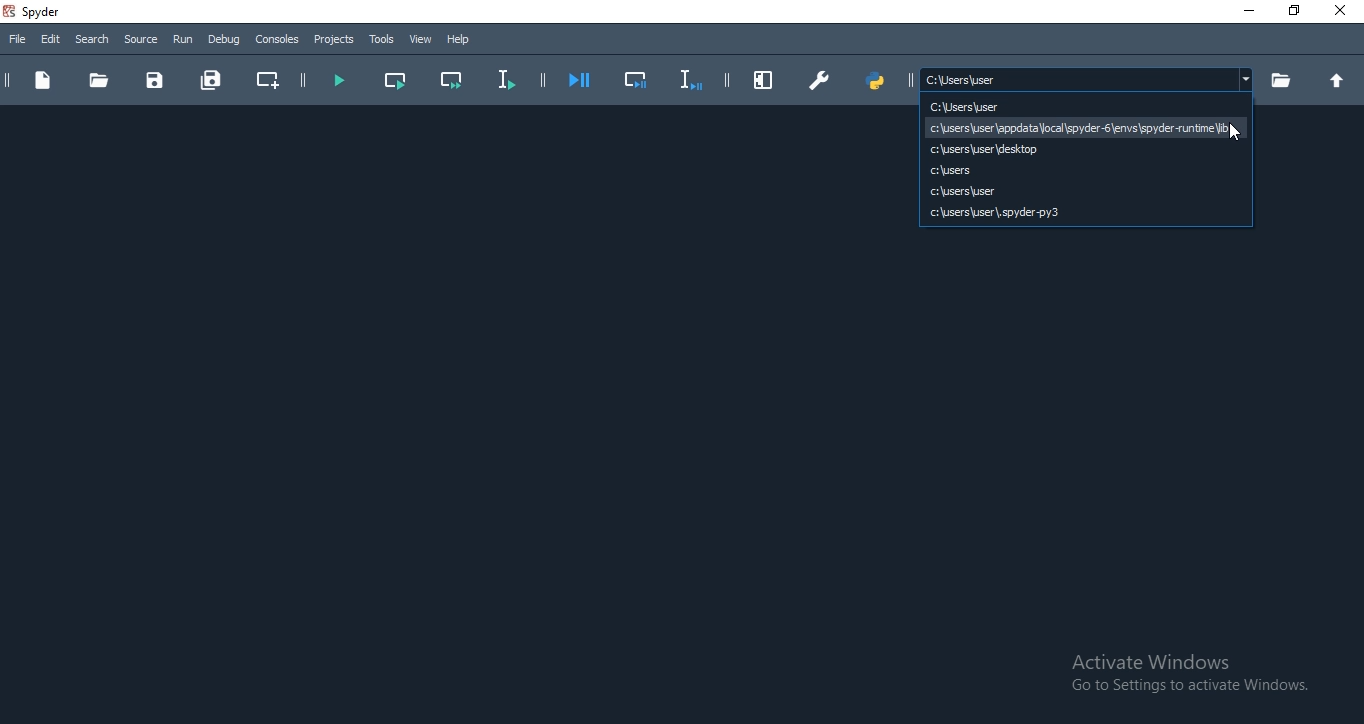 The height and width of the screenshot is (724, 1364). What do you see at coordinates (37, 12) in the screenshot?
I see `spyder Desktop Icon` at bounding box center [37, 12].